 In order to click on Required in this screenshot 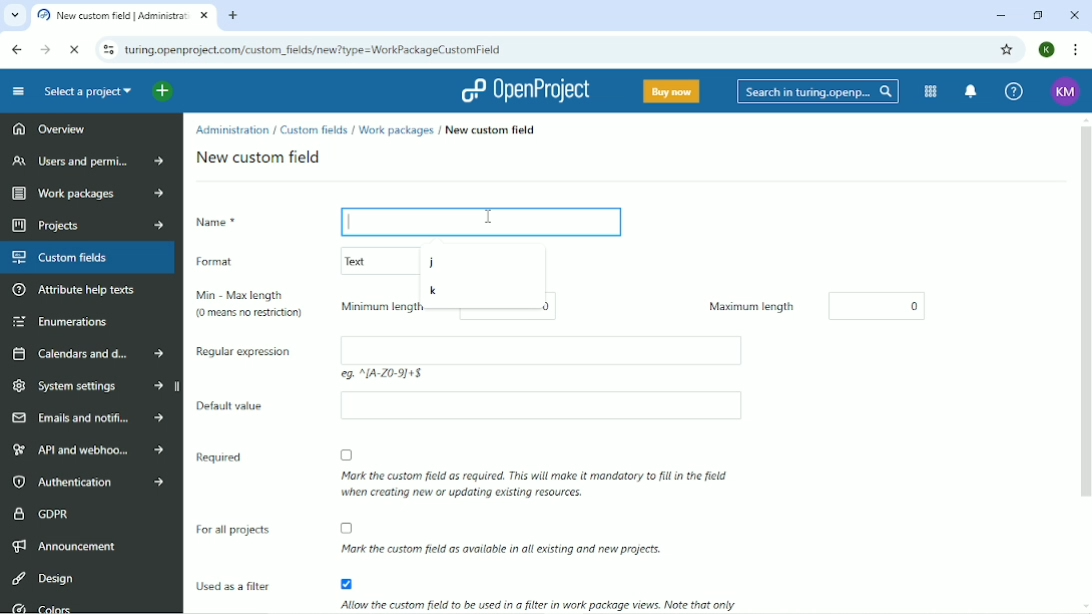, I will do `click(216, 475)`.